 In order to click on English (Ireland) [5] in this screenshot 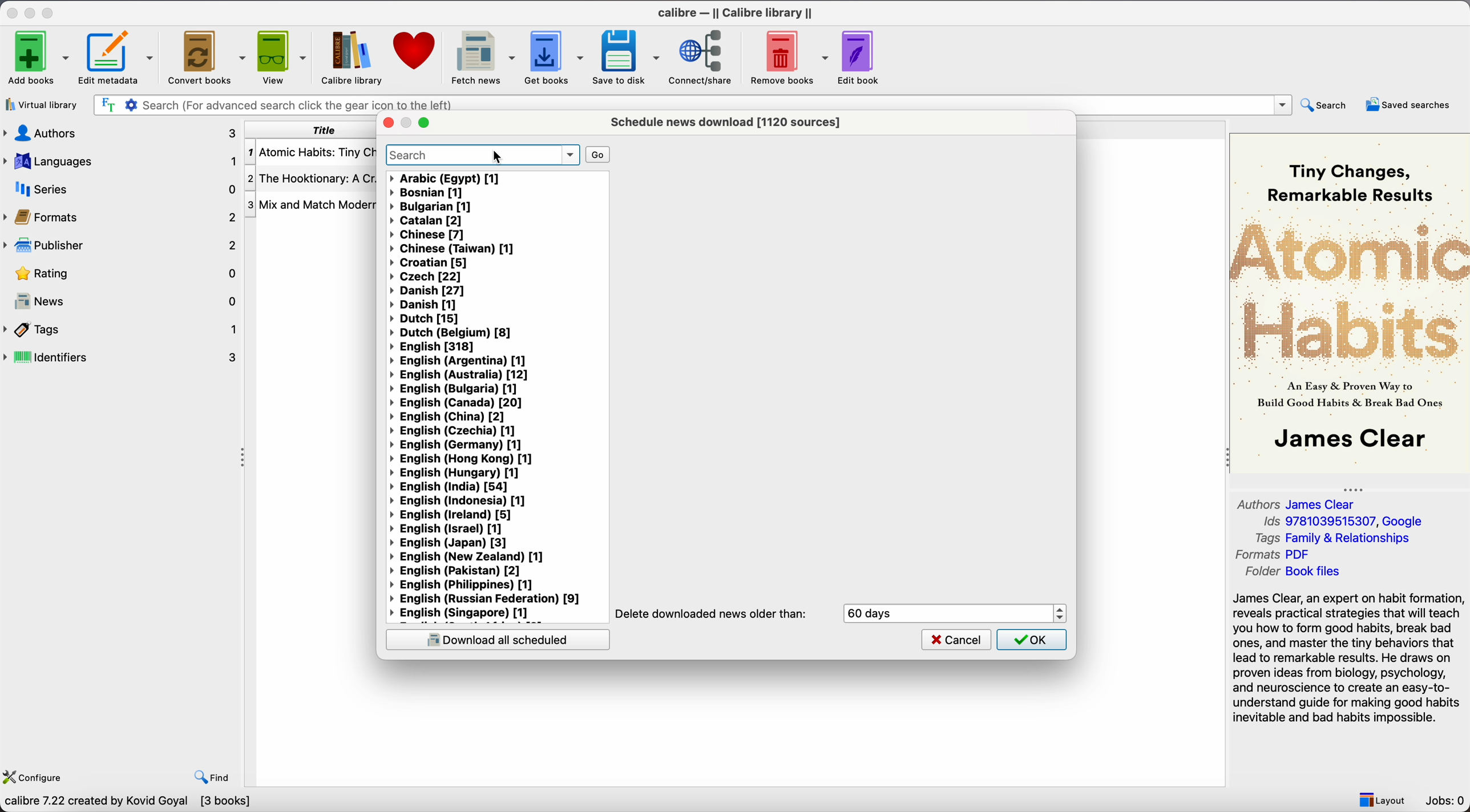, I will do `click(452, 515)`.